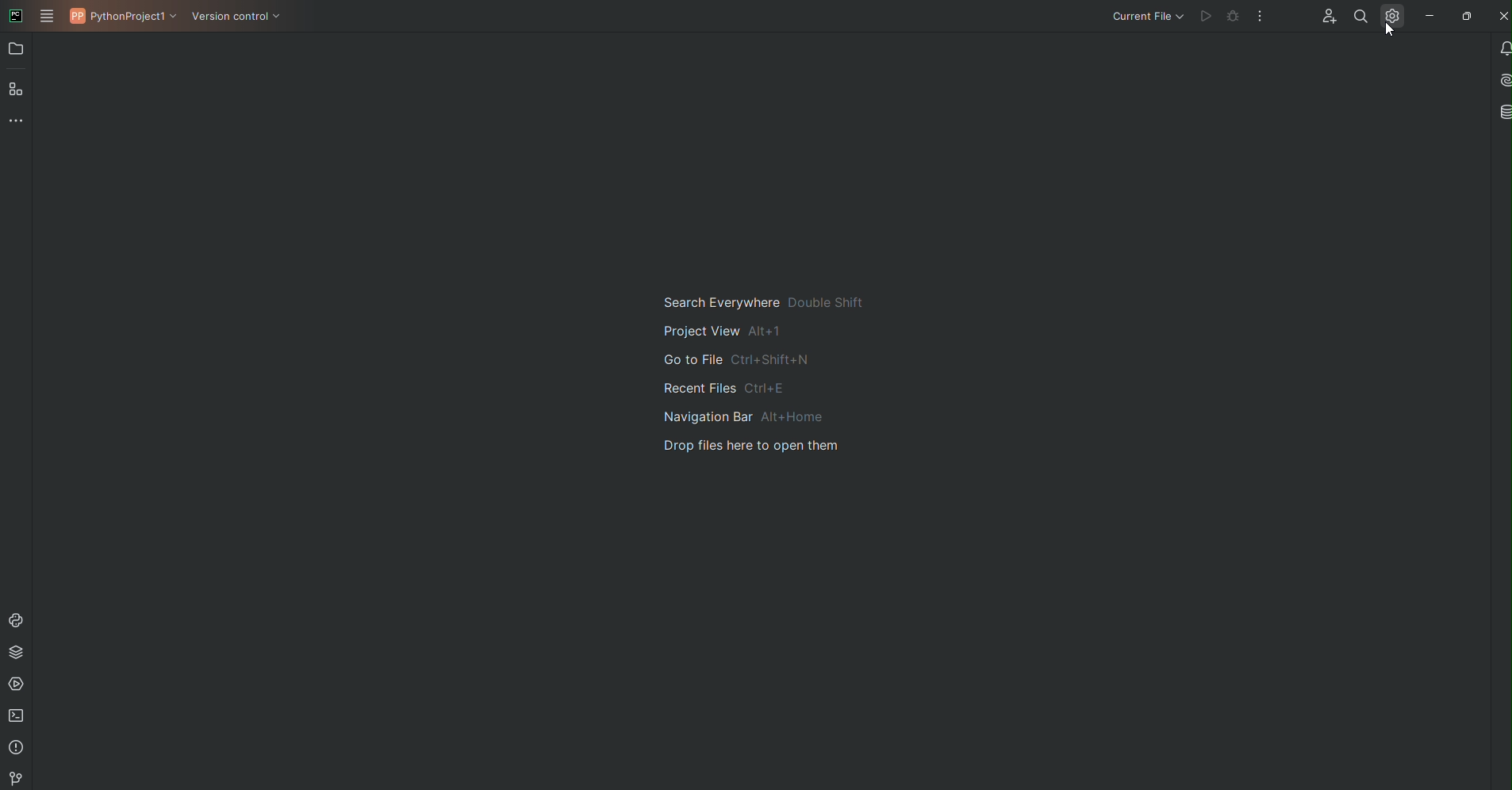 Image resolution: width=1512 pixels, height=790 pixels. What do you see at coordinates (1146, 17) in the screenshot?
I see `Current file` at bounding box center [1146, 17].